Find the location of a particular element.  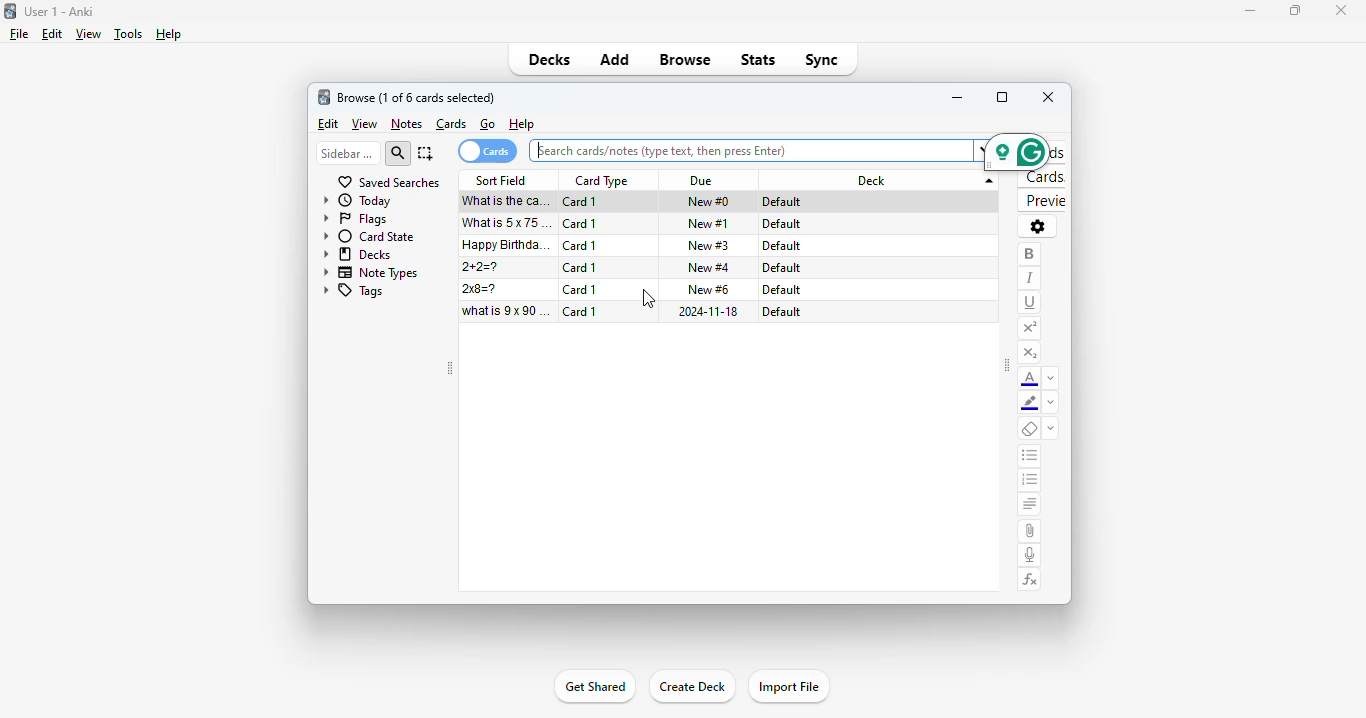

logo is located at coordinates (324, 97).